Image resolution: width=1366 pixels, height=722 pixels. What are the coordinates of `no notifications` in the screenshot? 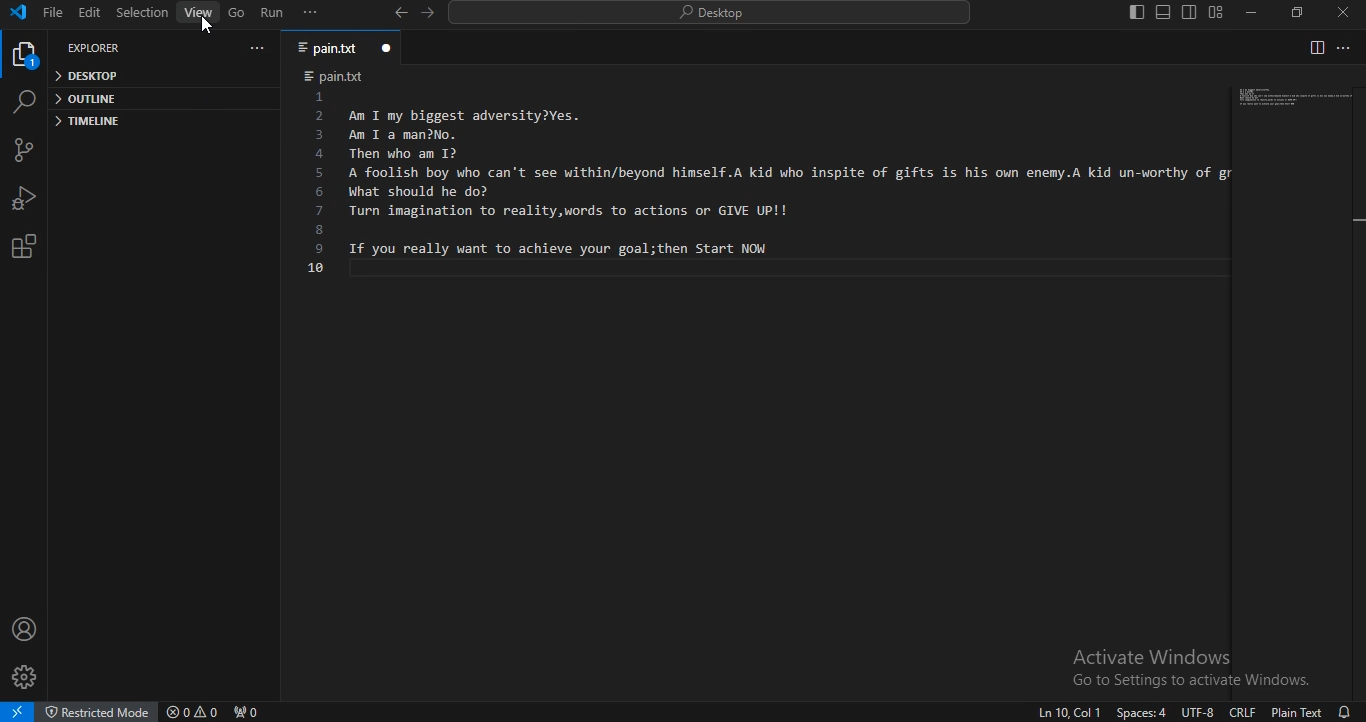 It's located at (1346, 712).